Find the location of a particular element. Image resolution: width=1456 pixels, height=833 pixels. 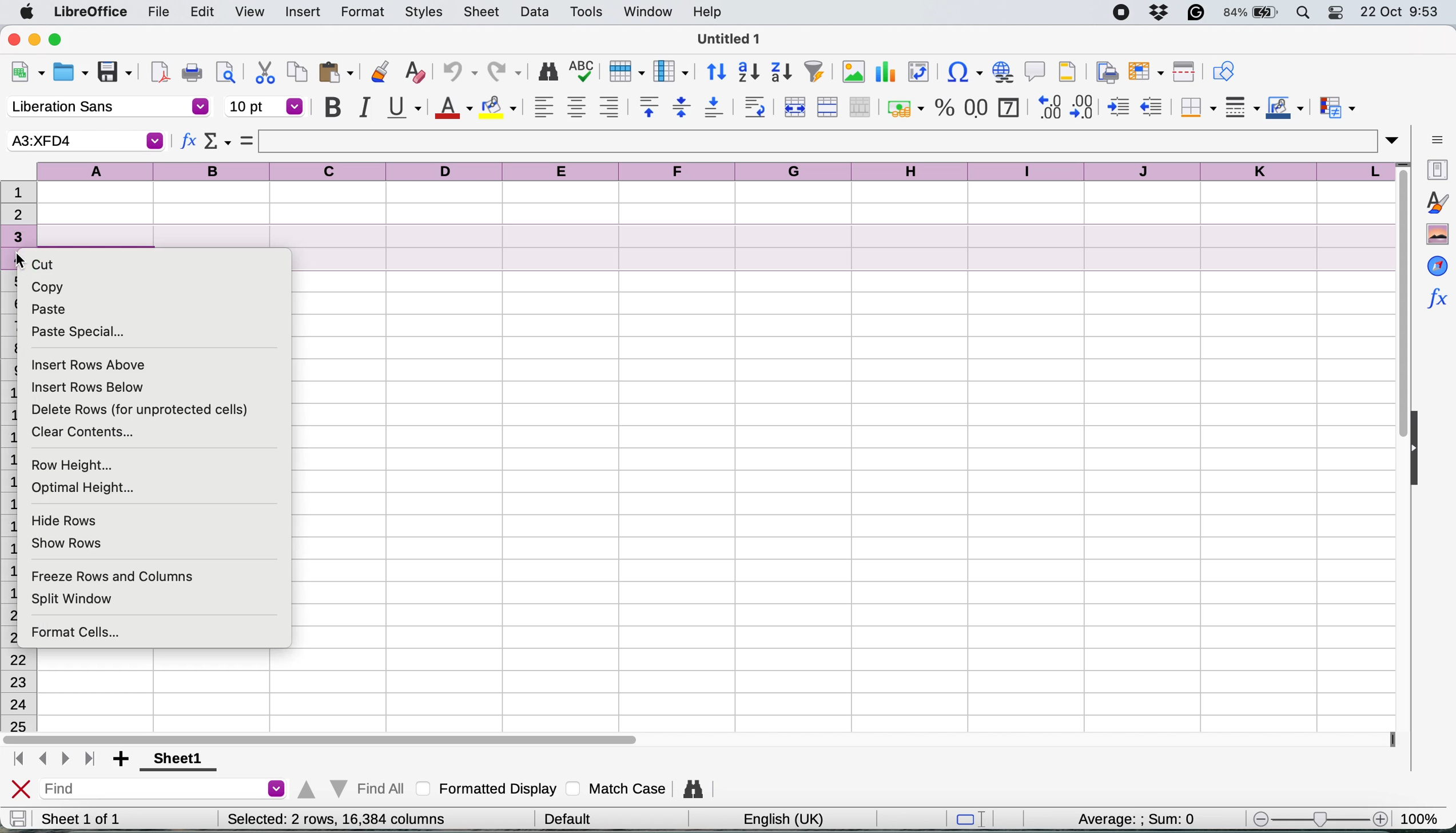

collapse is located at coordinates (1420, 450).